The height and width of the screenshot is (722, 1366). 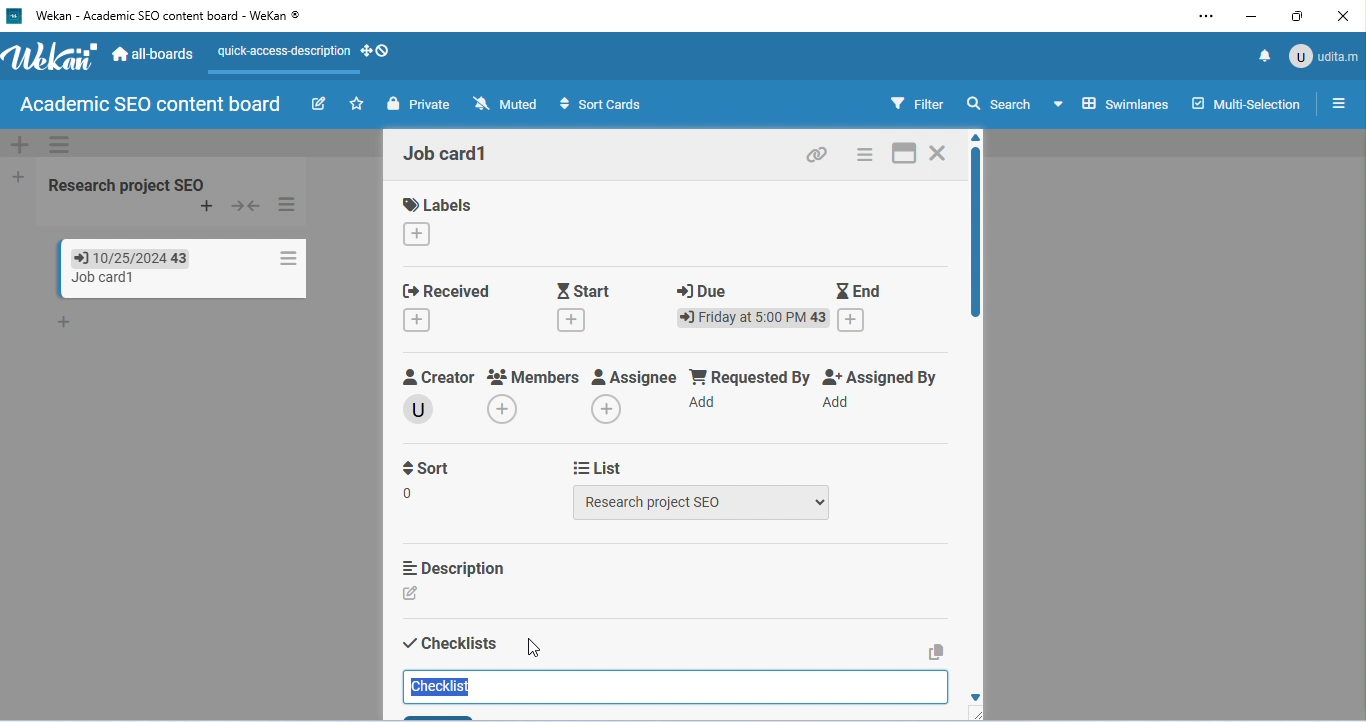 What do you see at coordinates (941, 153) in the screenshot?
I see `close the card` at bounding box center [941, 153].